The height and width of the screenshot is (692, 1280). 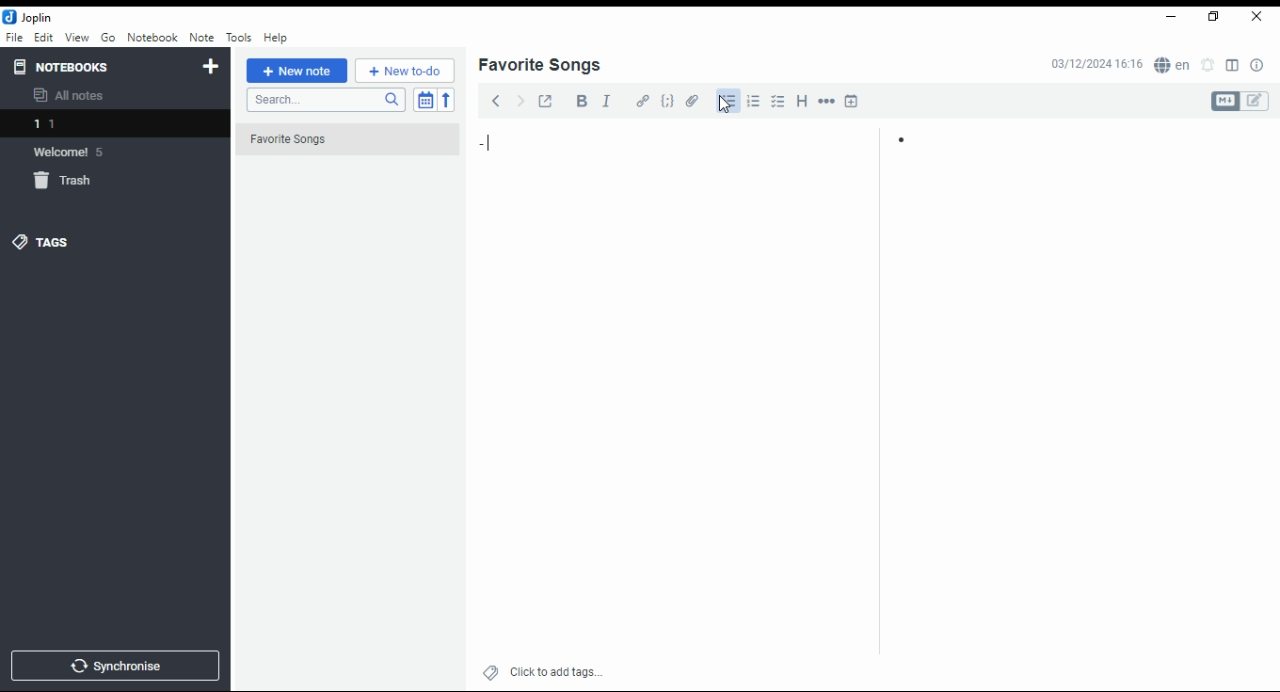 I want to click on italics, so click(x=606, y=100).